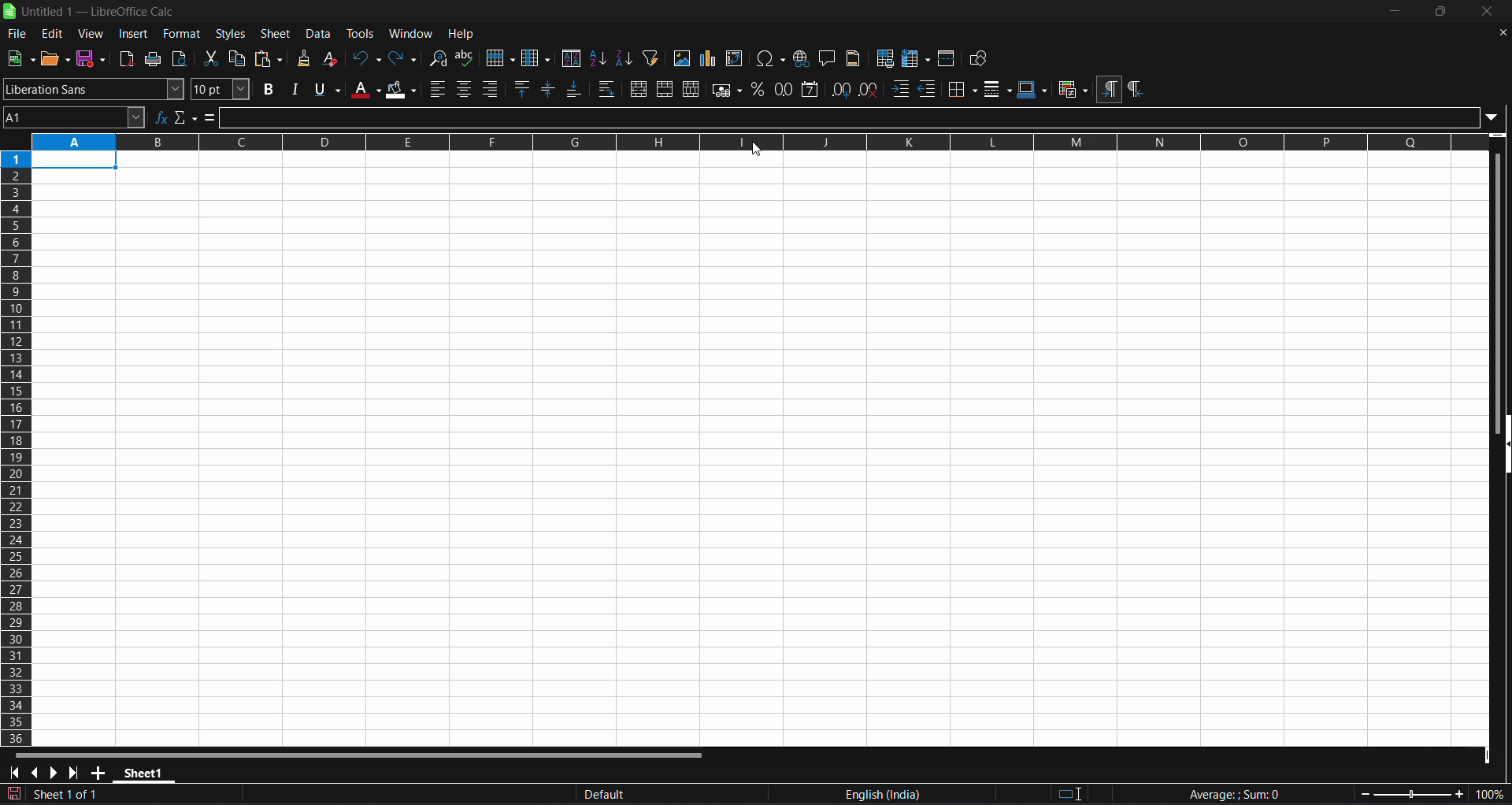  What do you see at coordinates (1490, 11) in the screenshot?
I see `close` at bounding box center [1490, 11].